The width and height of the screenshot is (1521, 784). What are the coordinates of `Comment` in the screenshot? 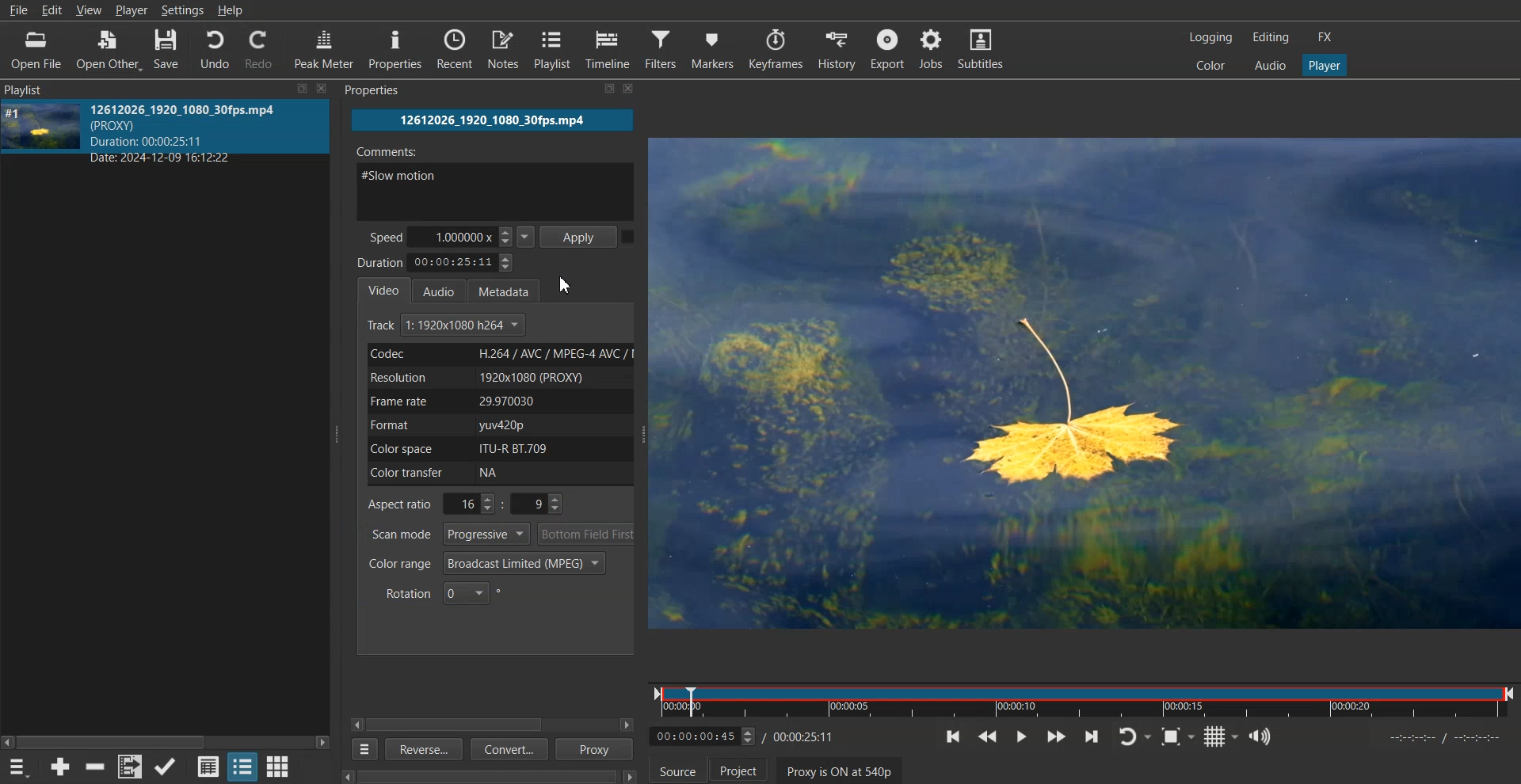 It's located at (496, 179).